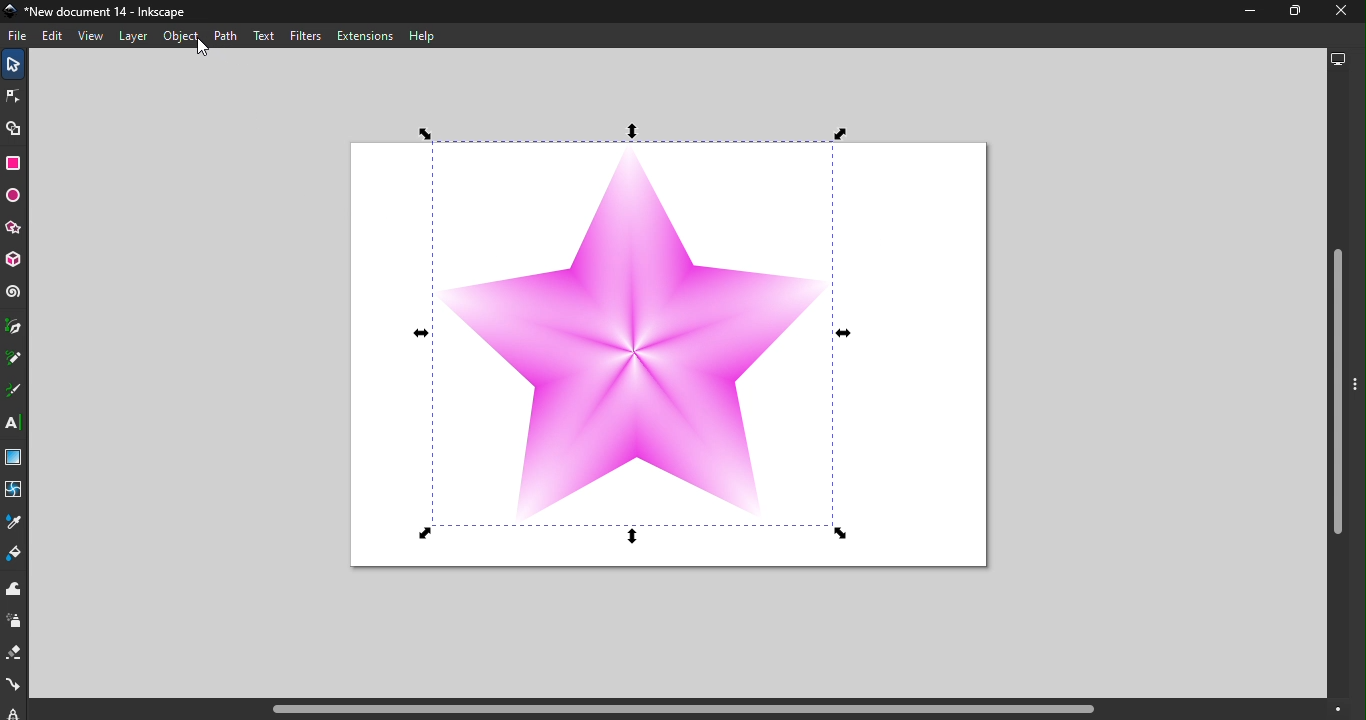  Describe the element at coordinates (421, 37) in the screenshot. I see `Help` at that location.